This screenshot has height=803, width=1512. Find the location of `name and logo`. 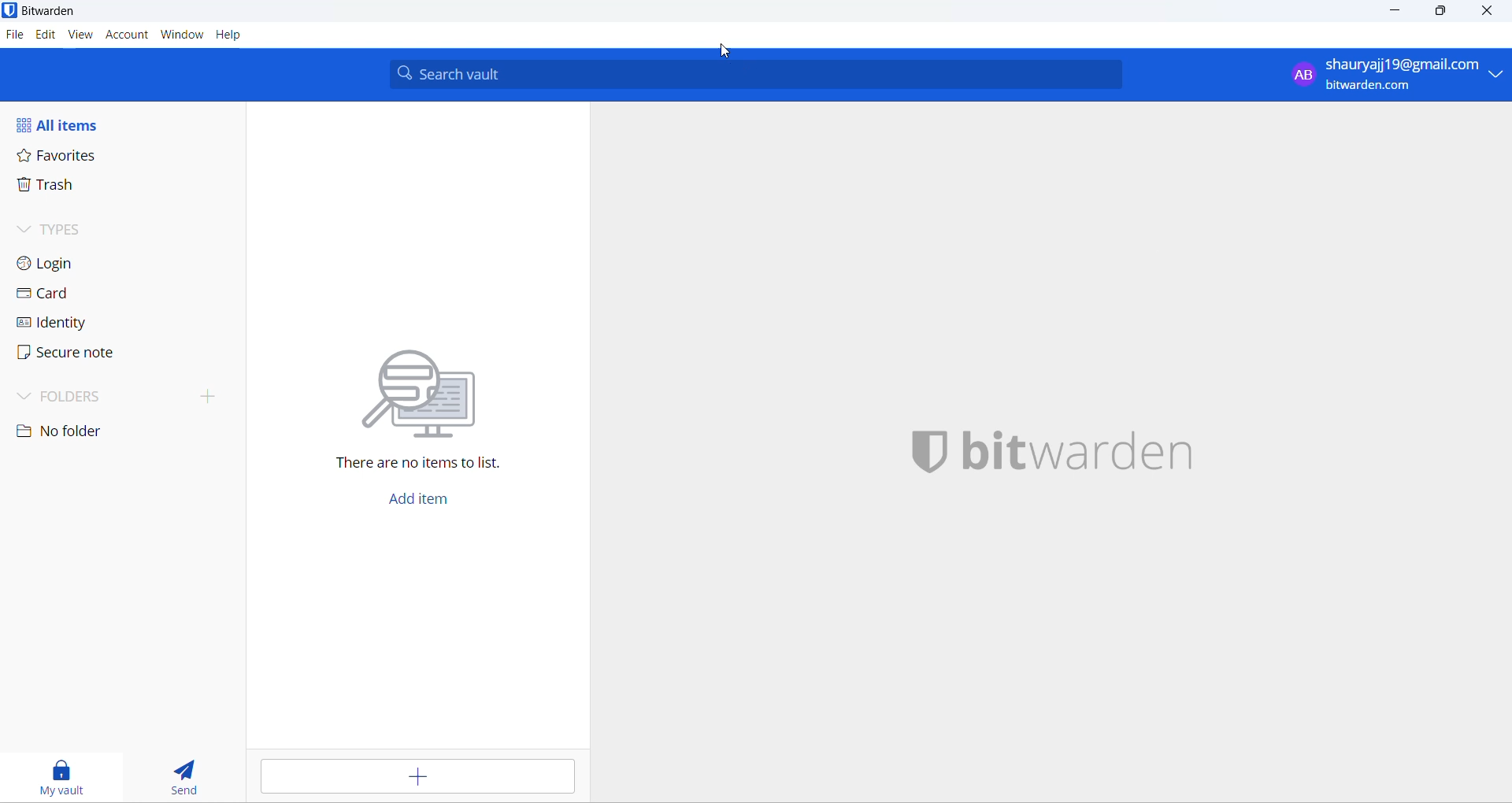

name and logo is located at coordinates (1060, 448).